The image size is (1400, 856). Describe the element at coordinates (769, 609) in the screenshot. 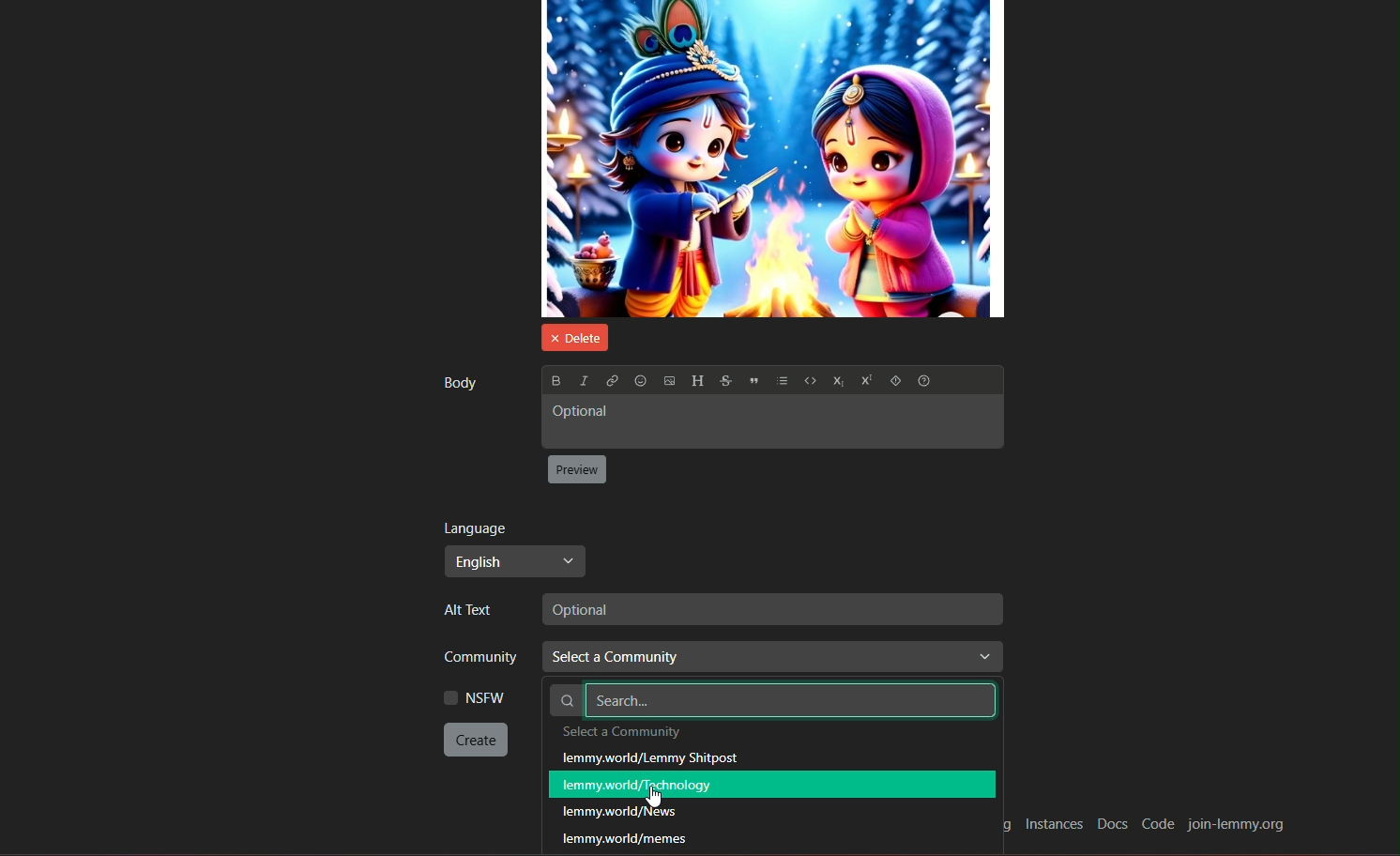

I see `textbox` at that location.